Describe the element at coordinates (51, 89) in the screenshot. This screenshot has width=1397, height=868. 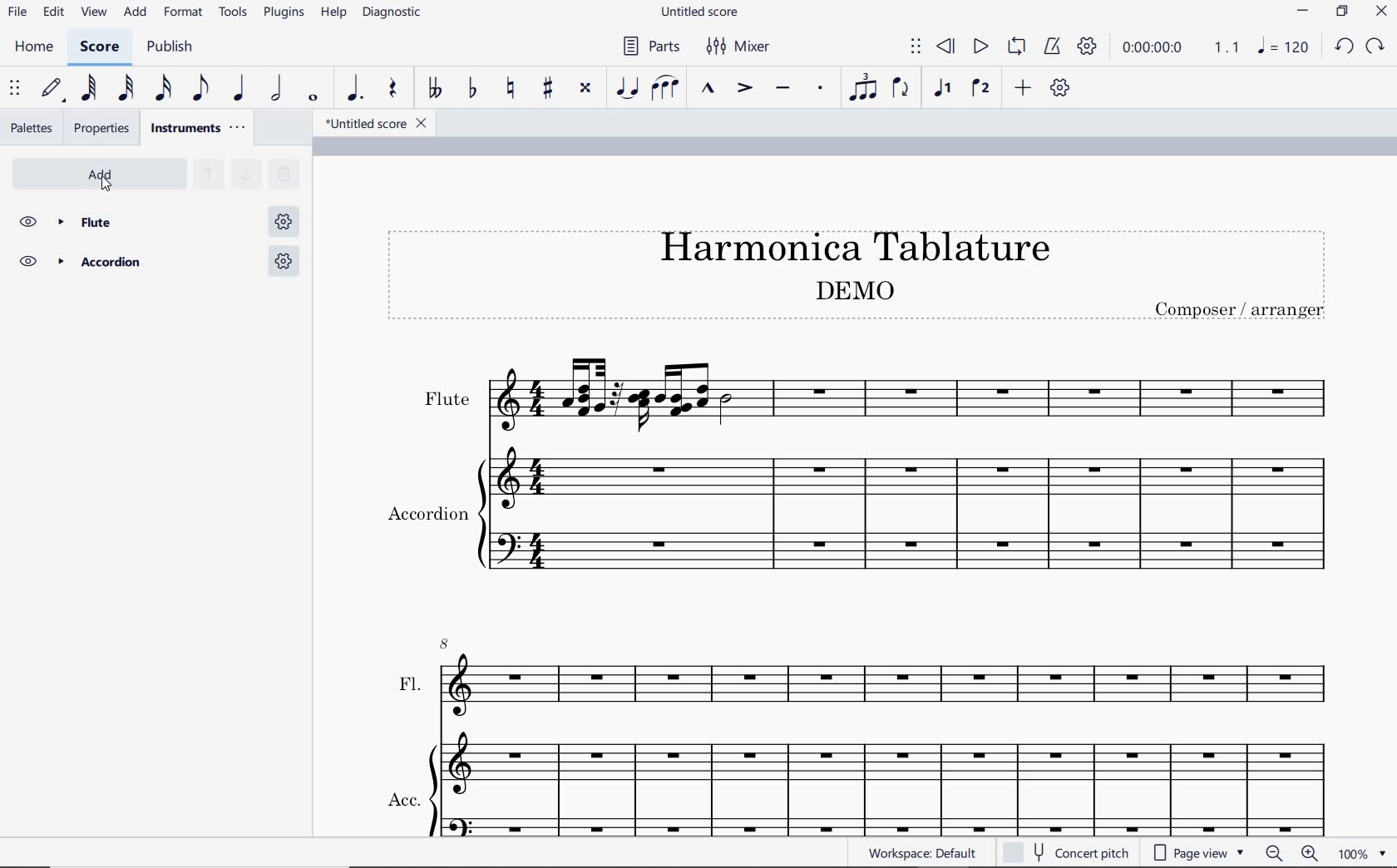
I see `default (step time)` at that location.